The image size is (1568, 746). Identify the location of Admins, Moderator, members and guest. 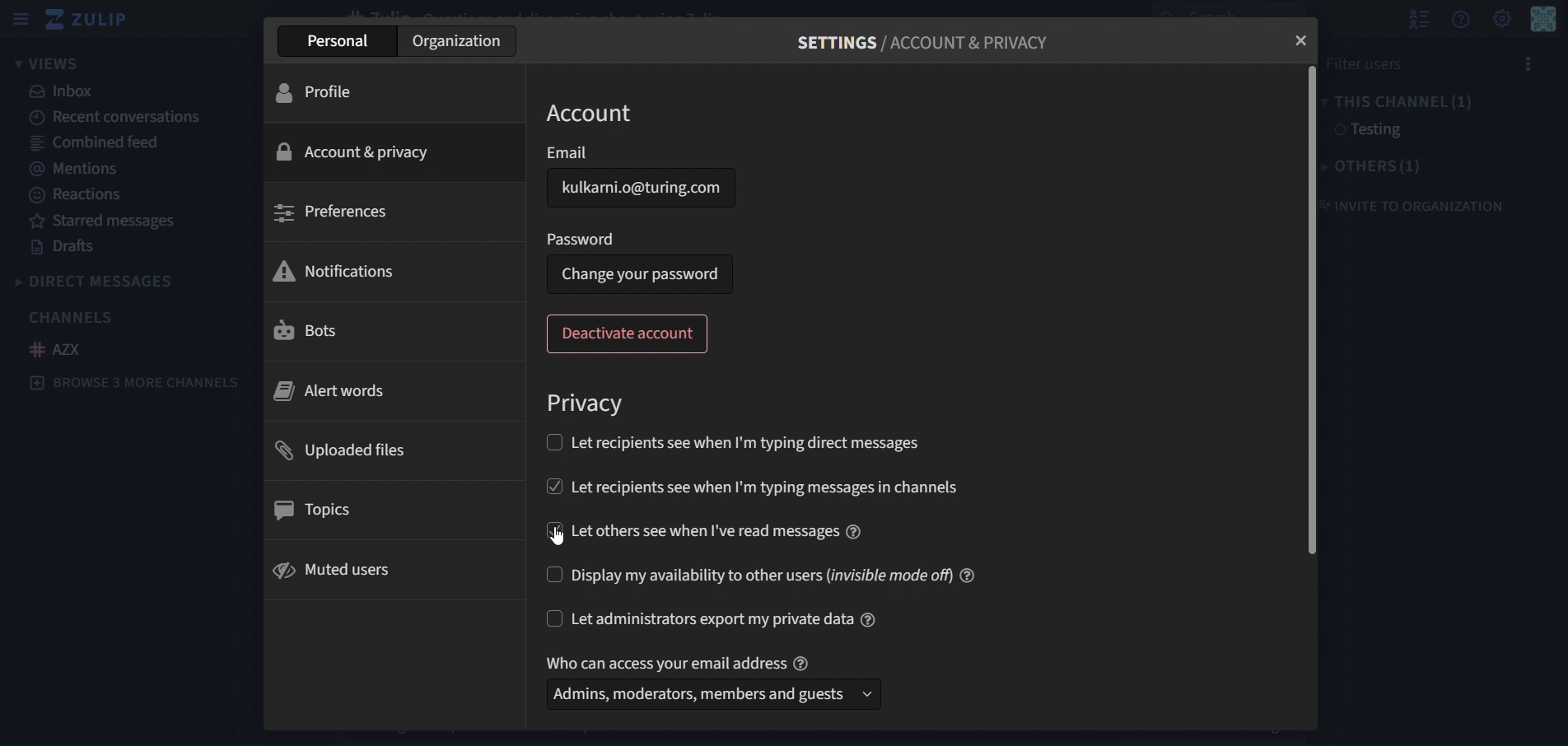
(707, 697).